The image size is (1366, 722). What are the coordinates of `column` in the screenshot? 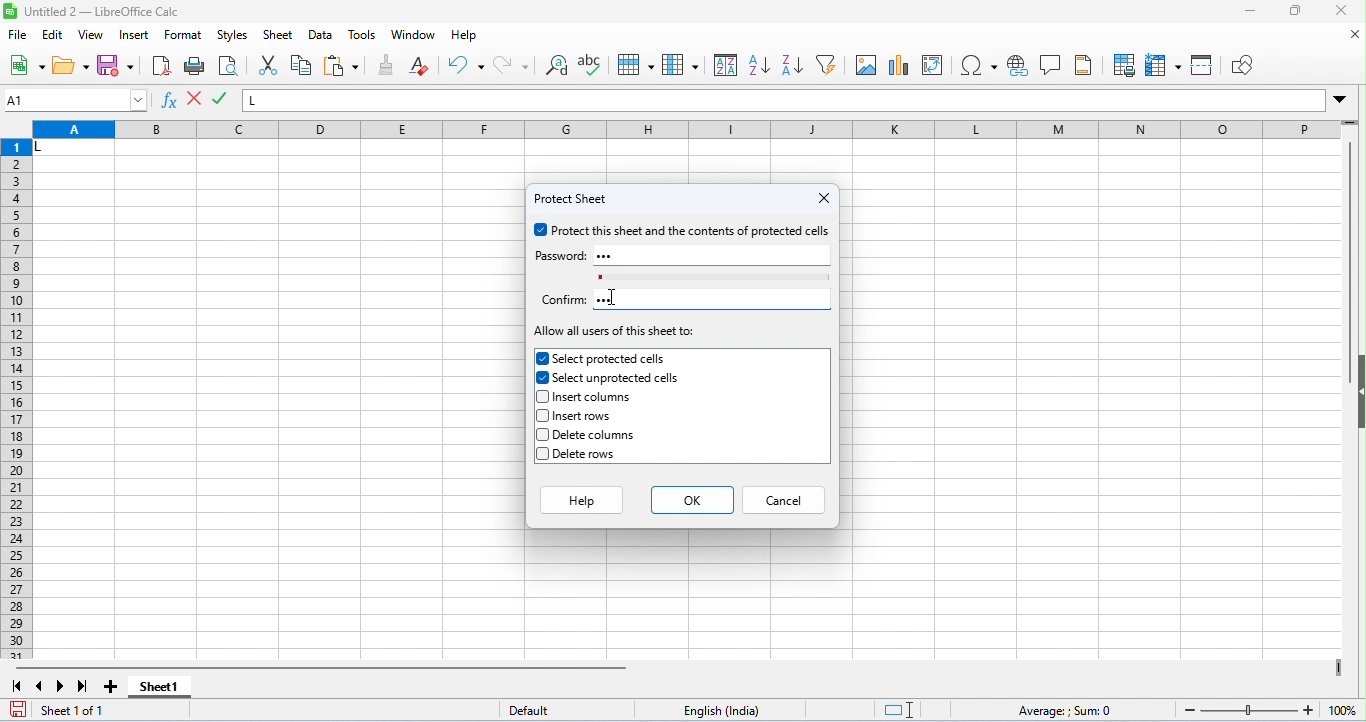 It's located at (680, 64).